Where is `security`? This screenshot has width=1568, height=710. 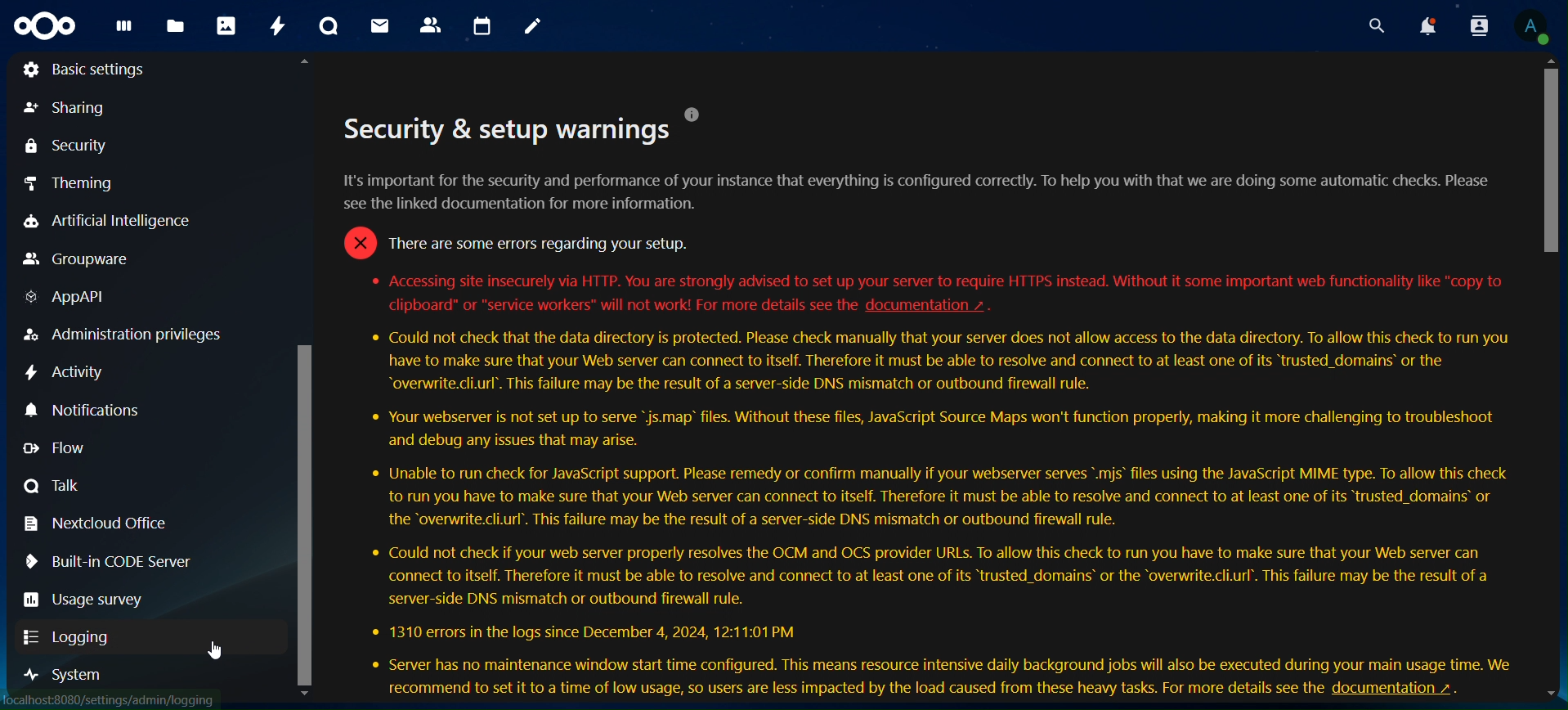 security is located at coordinates (65, 145).